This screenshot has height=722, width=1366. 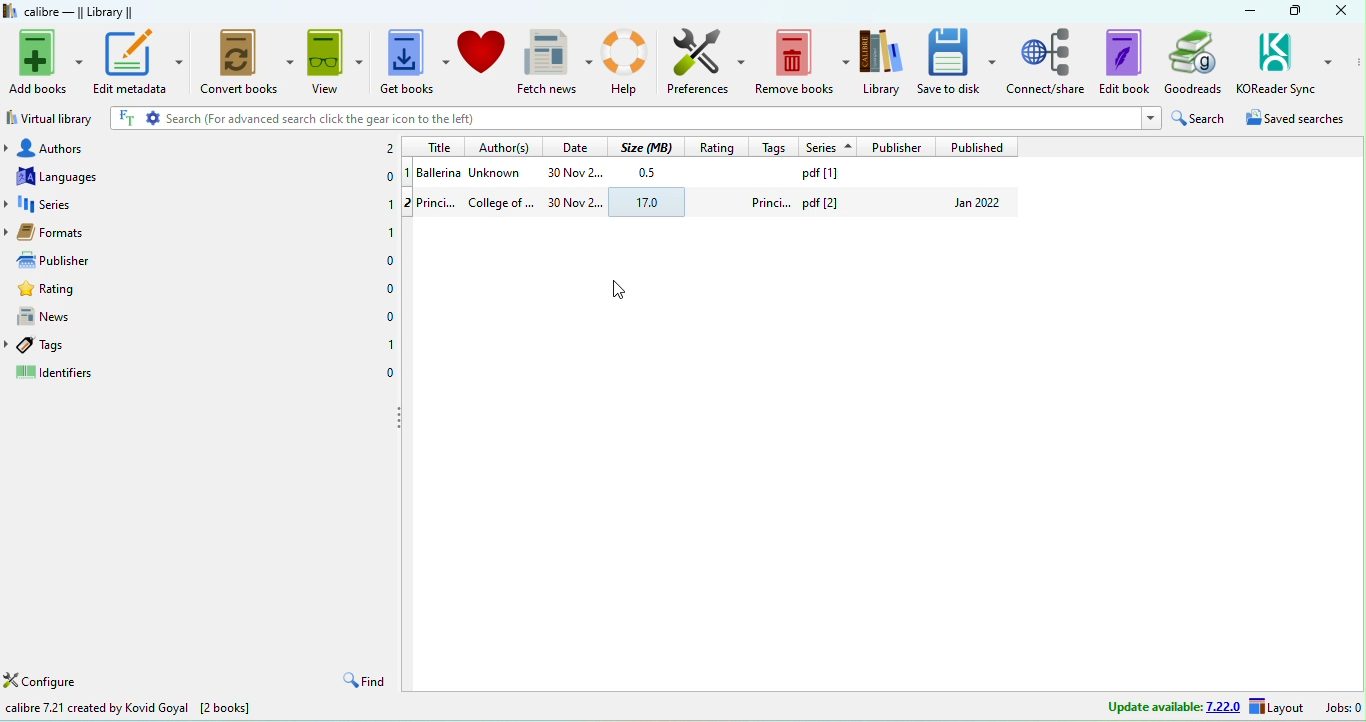 I want to click on 2 princi..., so click(x=432, y=203).